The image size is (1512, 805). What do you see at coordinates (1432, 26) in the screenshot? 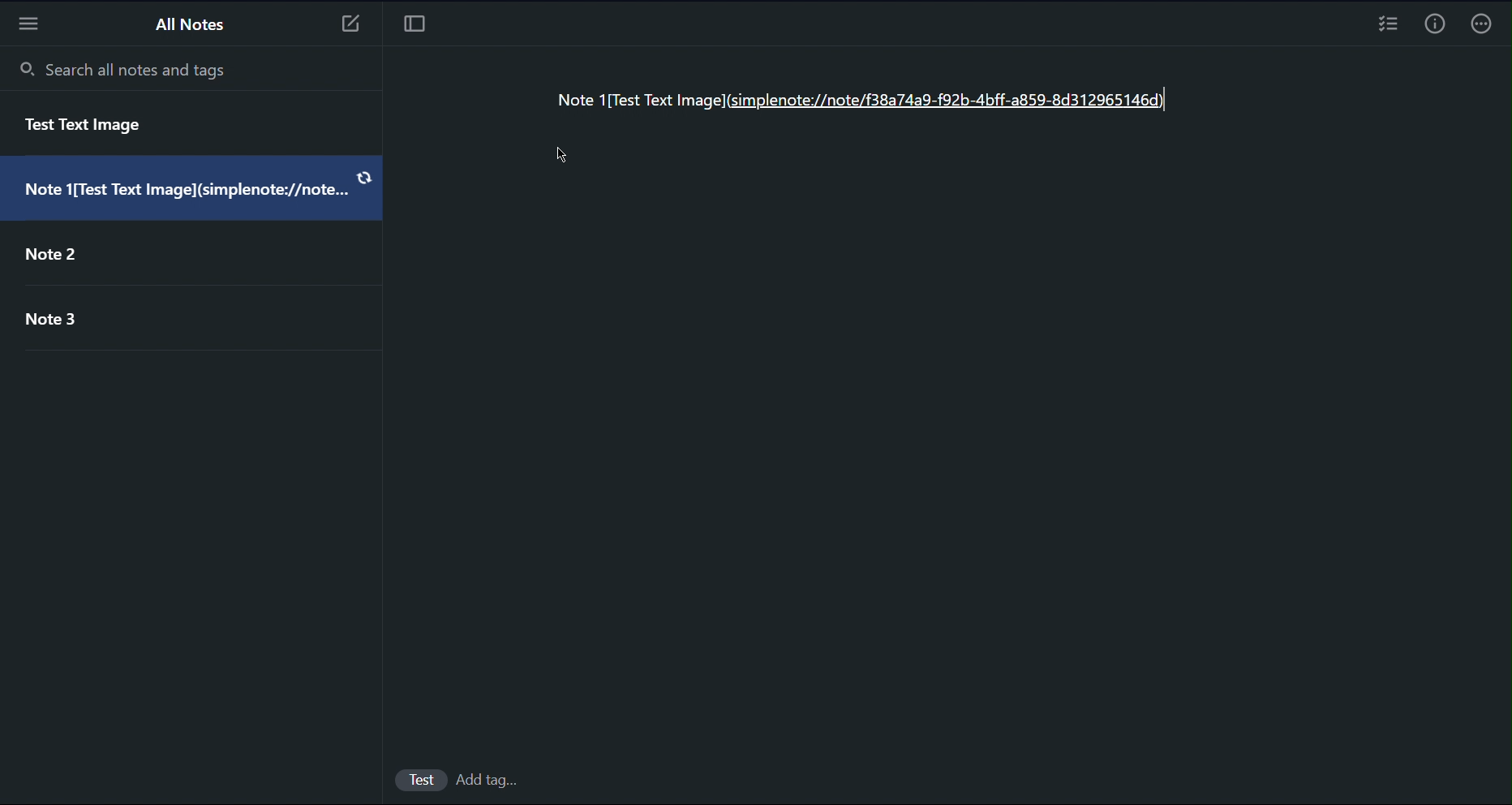
I see `Info` at bounding box center [1432, 26].